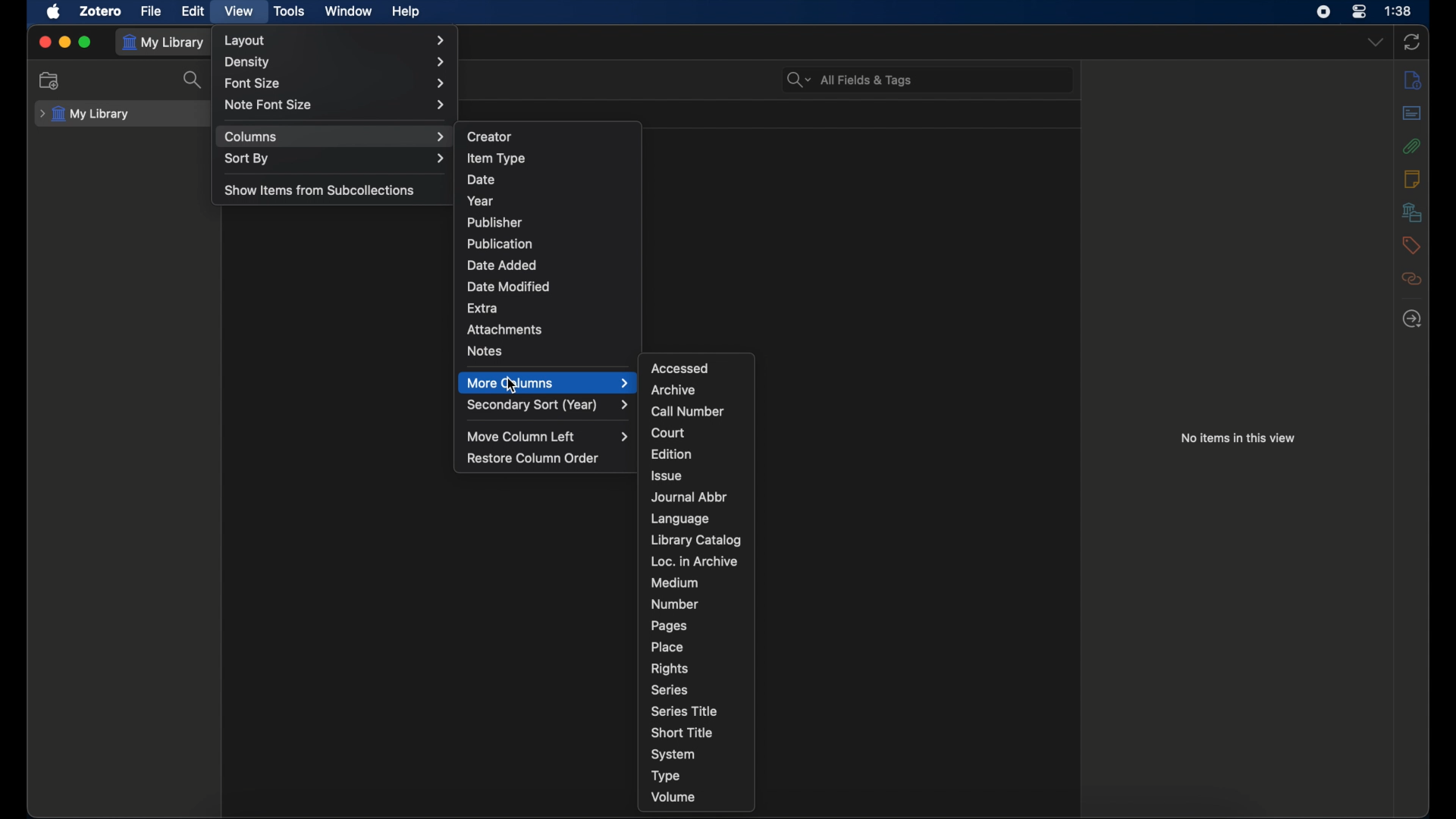 The height and width of the screenshot is (819, 1456). Describe the element at coordinates (666, 476) in the screenshot. I see `issue` at that location.